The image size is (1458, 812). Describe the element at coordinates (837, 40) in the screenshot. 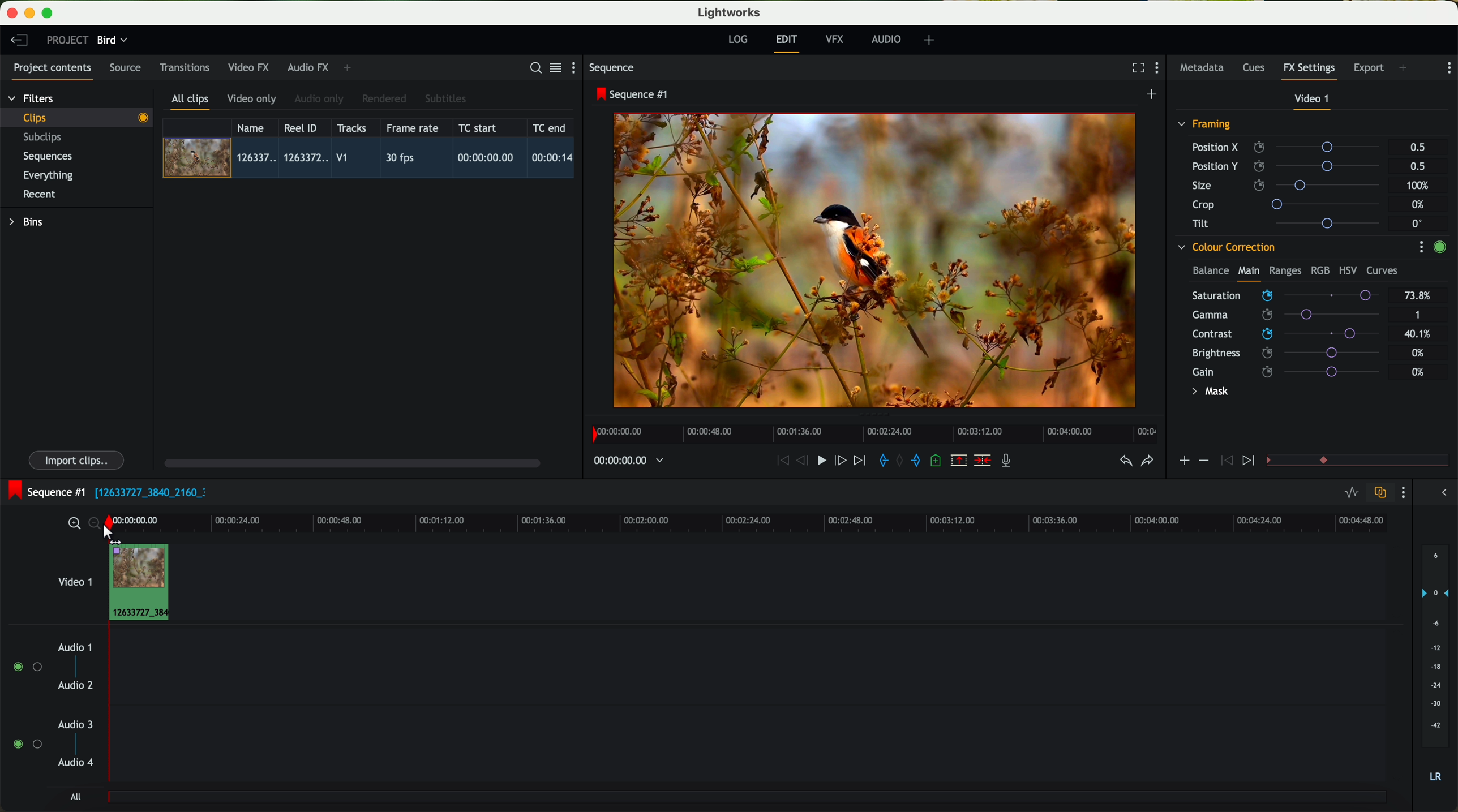

I see `VFX` at that location.